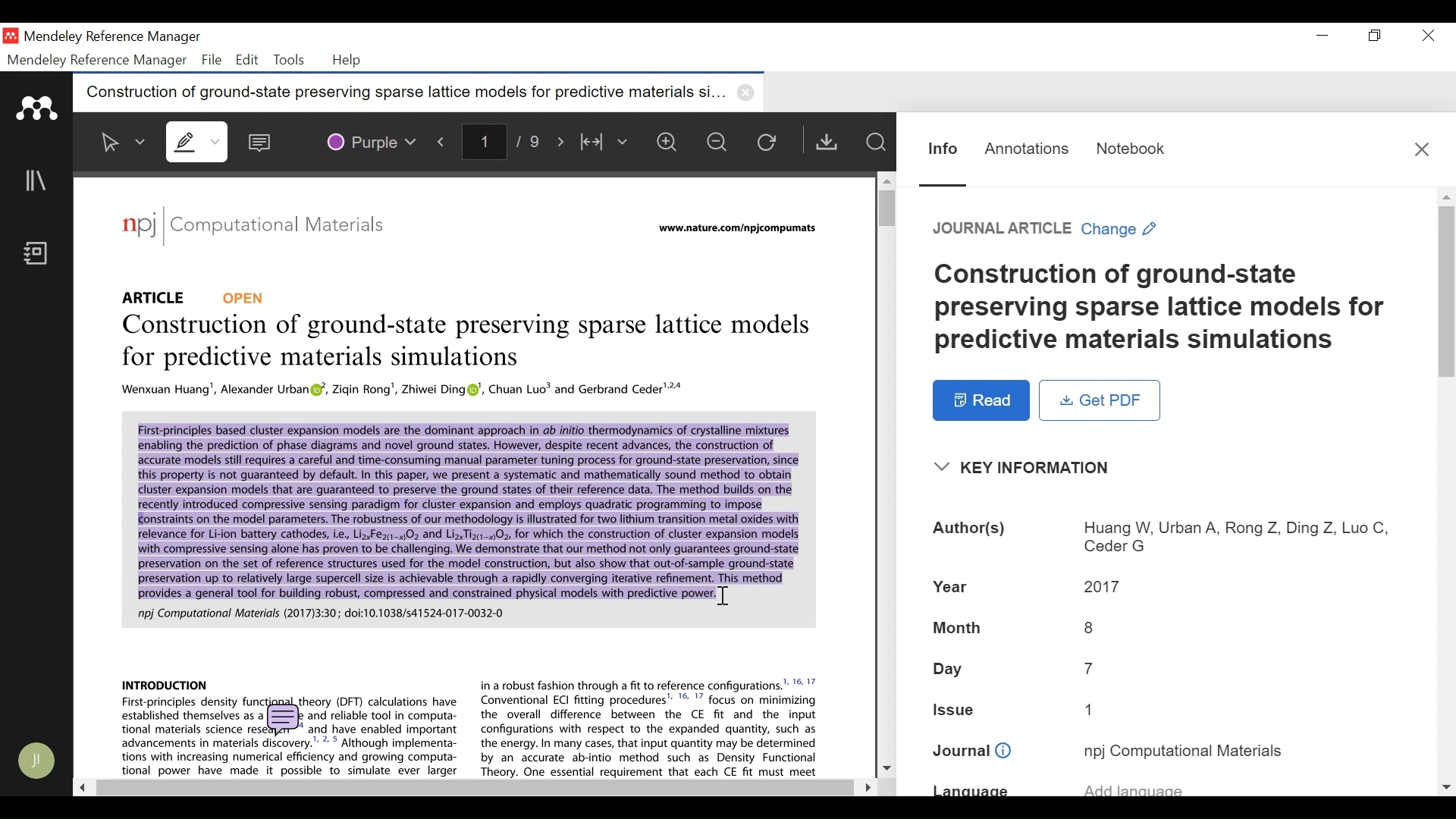 The image size is (1456, 819). I want to click on Zoom out, so click(718, 141).